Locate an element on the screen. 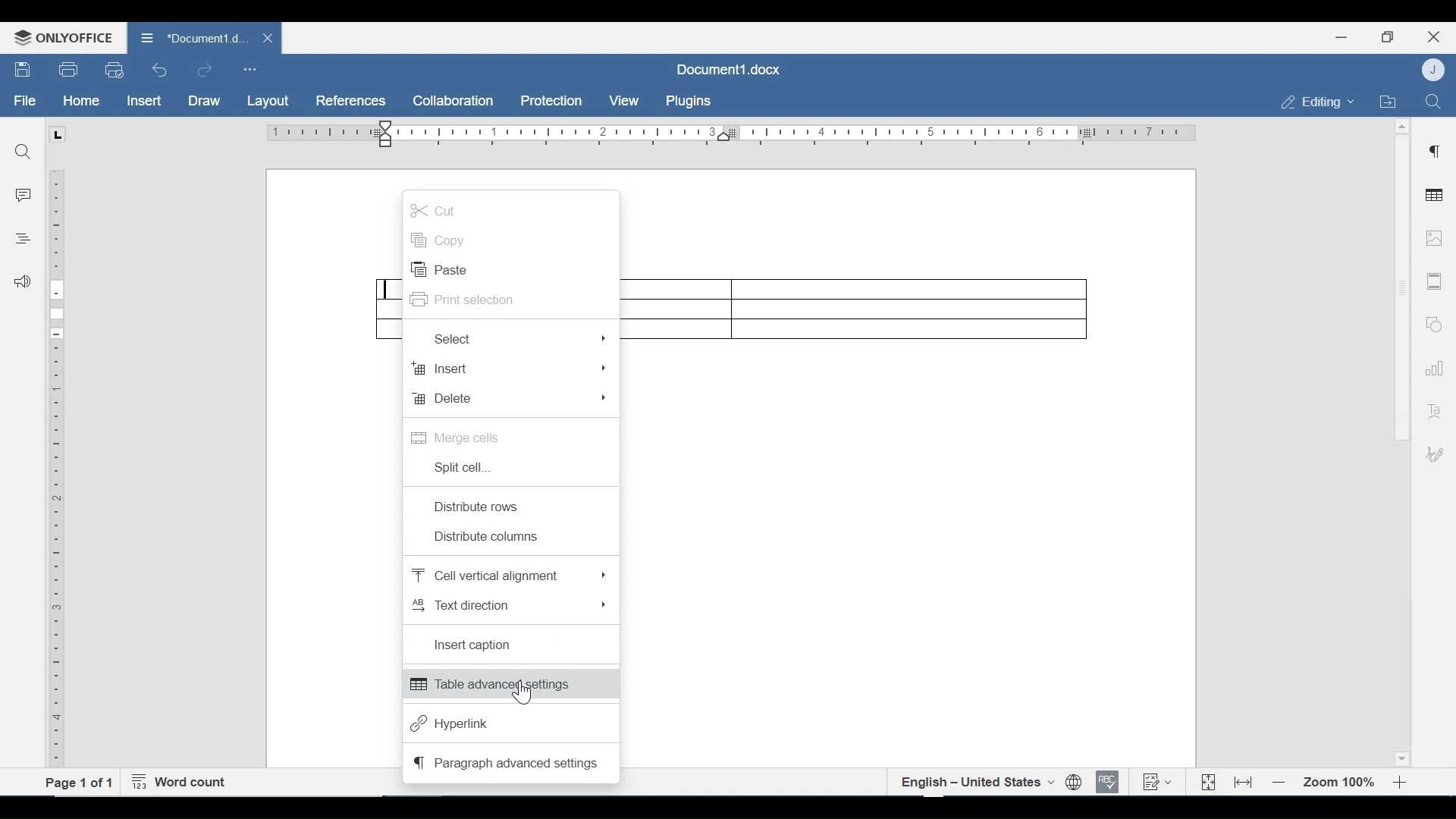 The image size is (1456, 819). Word Count is located at coordinates (183, 783).